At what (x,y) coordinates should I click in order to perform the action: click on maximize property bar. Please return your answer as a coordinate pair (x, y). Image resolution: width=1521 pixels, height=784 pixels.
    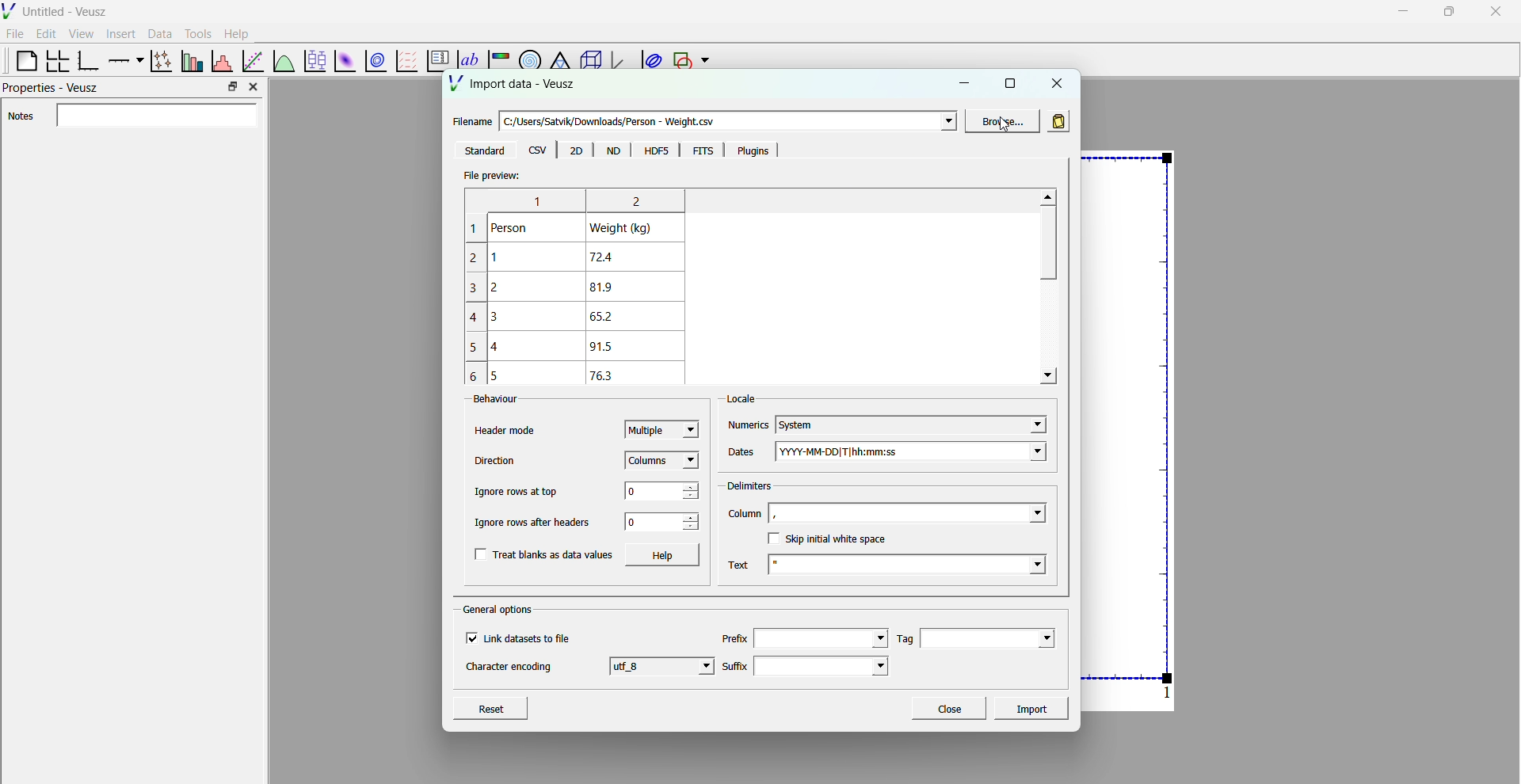
    Looking at the image, I should click on (233, 87).